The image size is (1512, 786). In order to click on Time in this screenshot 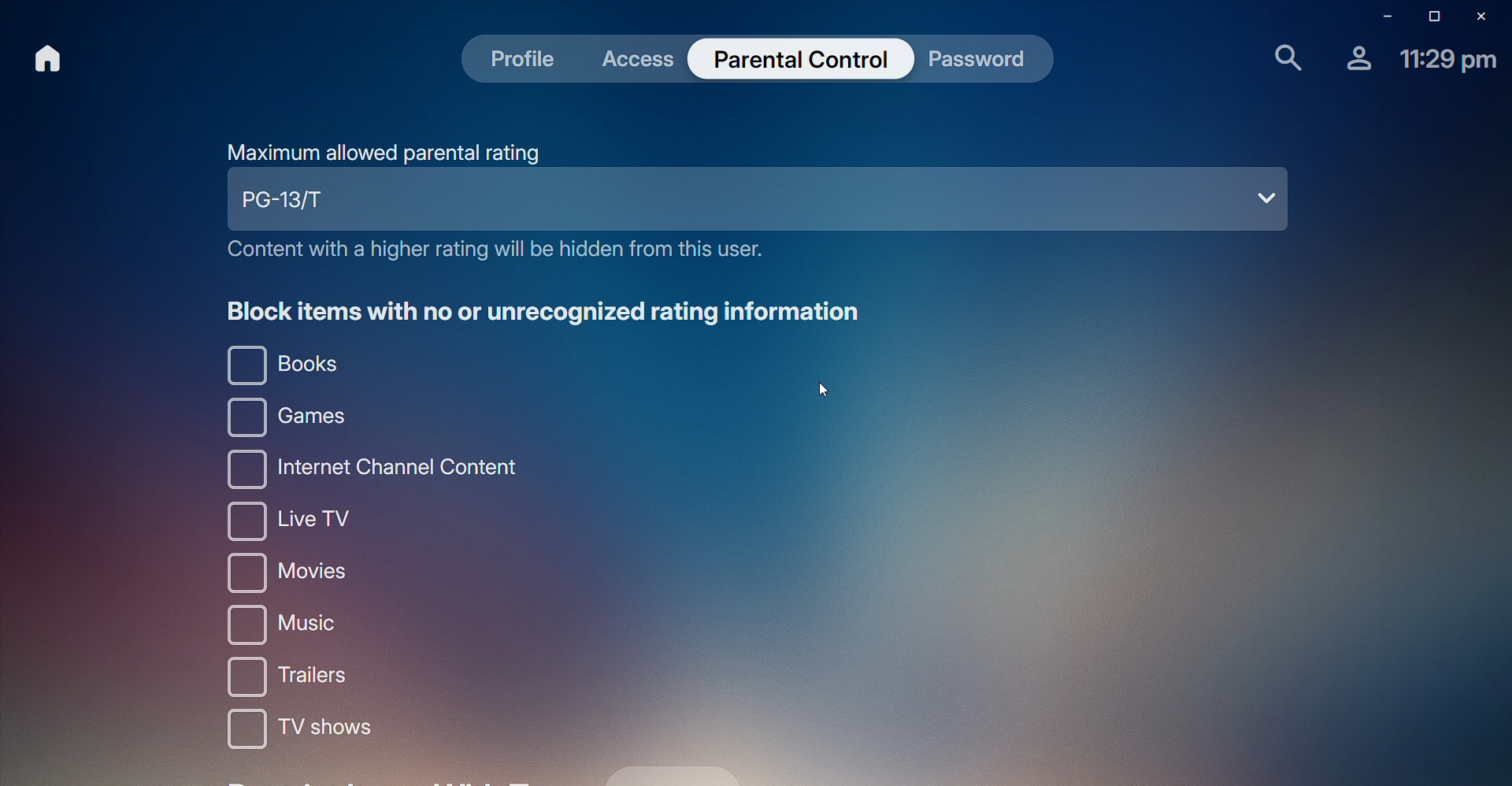, I will do `click(1448, 61)`.